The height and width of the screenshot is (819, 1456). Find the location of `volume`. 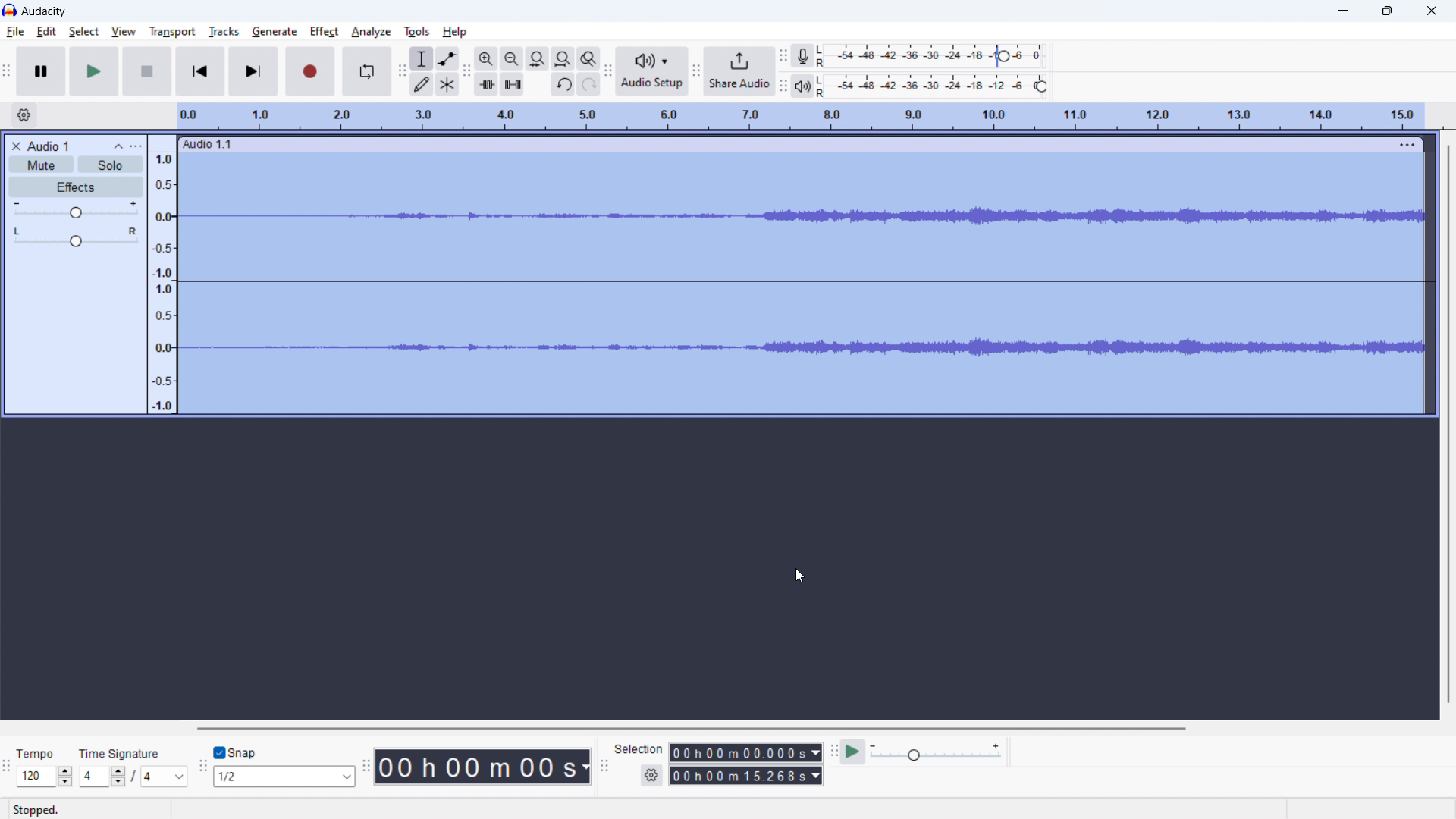

volume is located at coordinates (76, 209).